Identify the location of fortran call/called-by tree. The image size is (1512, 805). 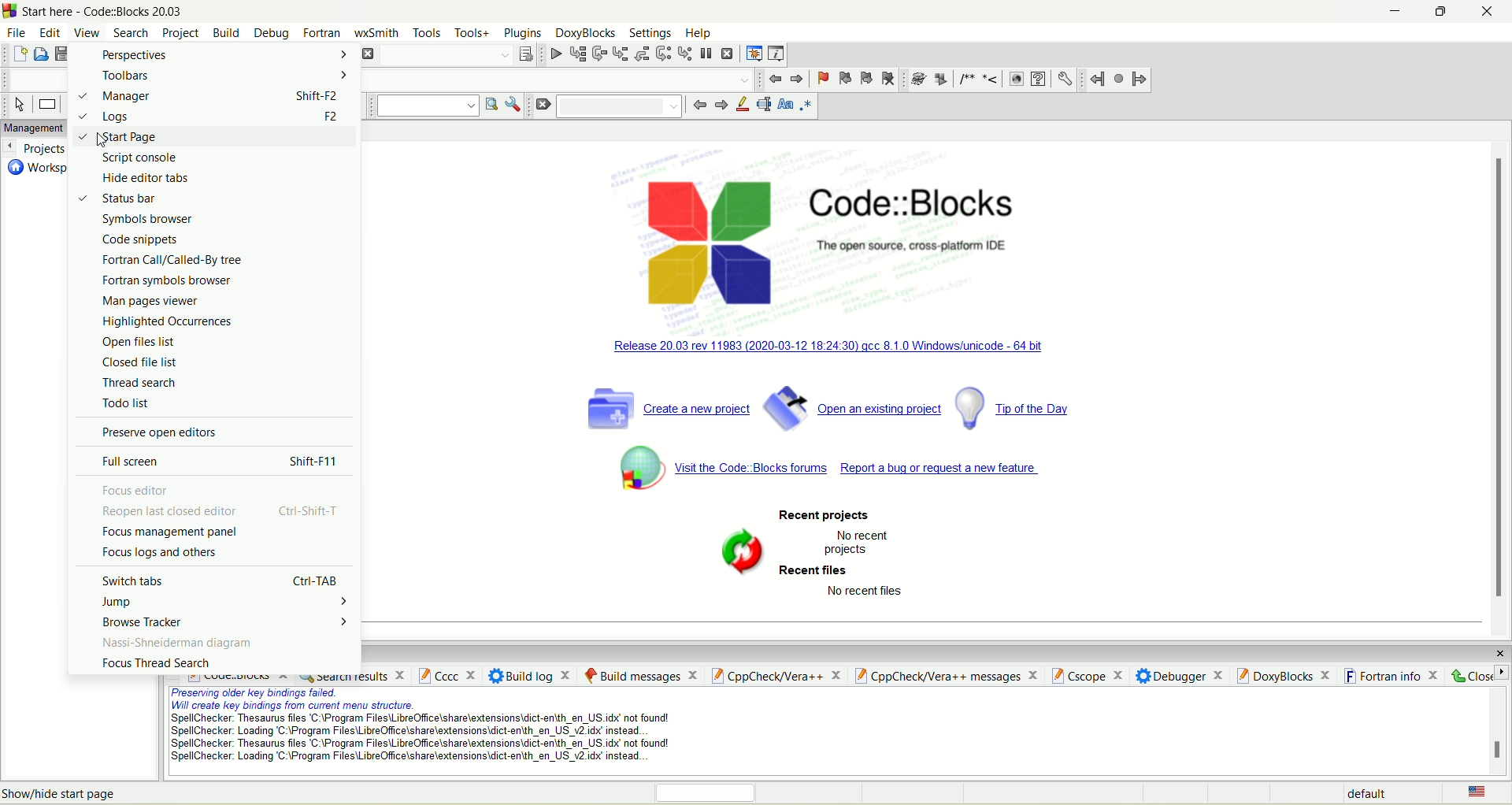
(174, 260).